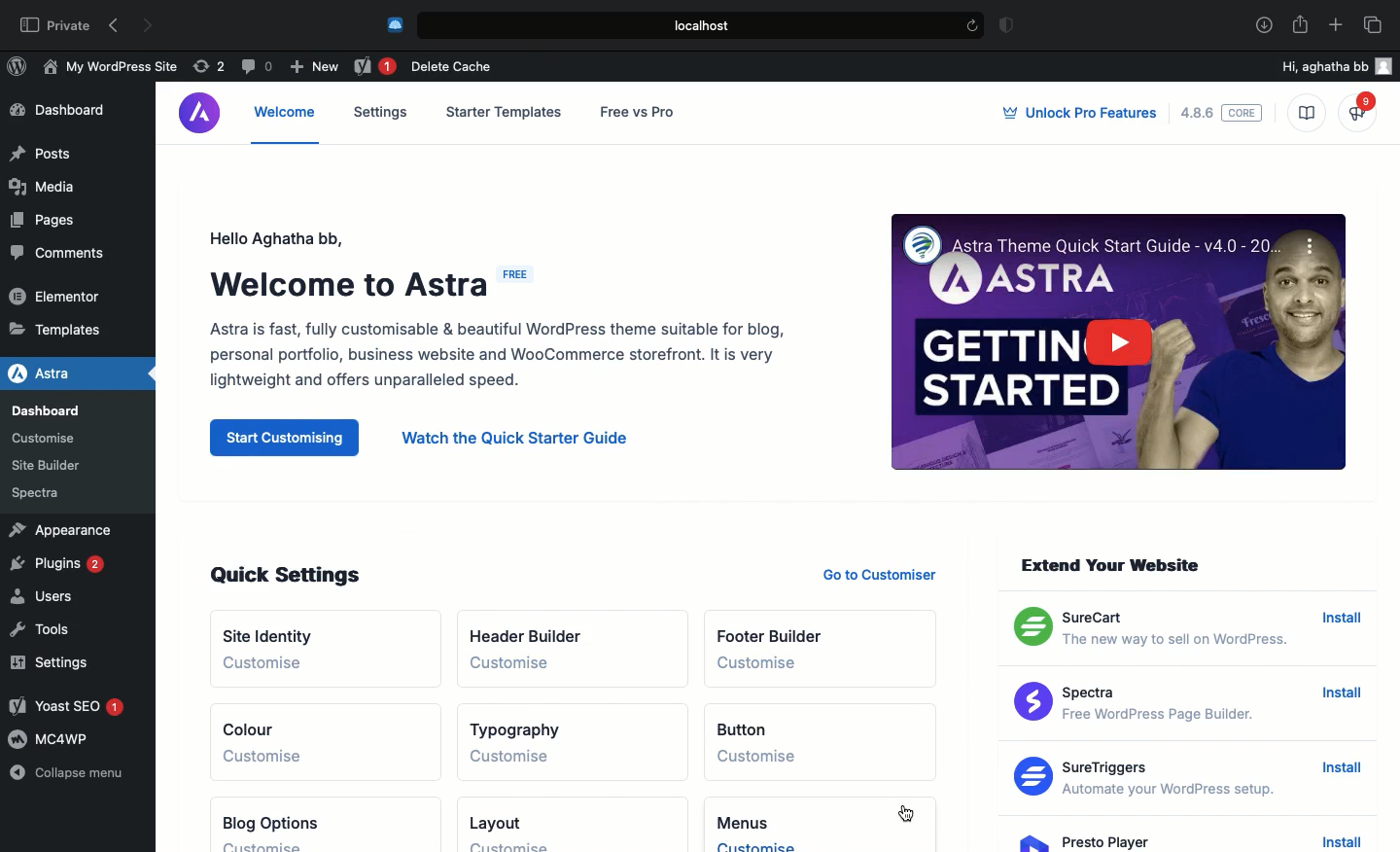 The height and width of the screenshot is (852, 1400). Describe the element at coordinates (504, 360) in the screenshot. I see `Astra is fast, fully customisable & beautiful WordPress theme suitable for blog,
personal portfolio, business website and WooCommerce storefront. It is very
lightweight and offers unparalleled speed.` at that location.